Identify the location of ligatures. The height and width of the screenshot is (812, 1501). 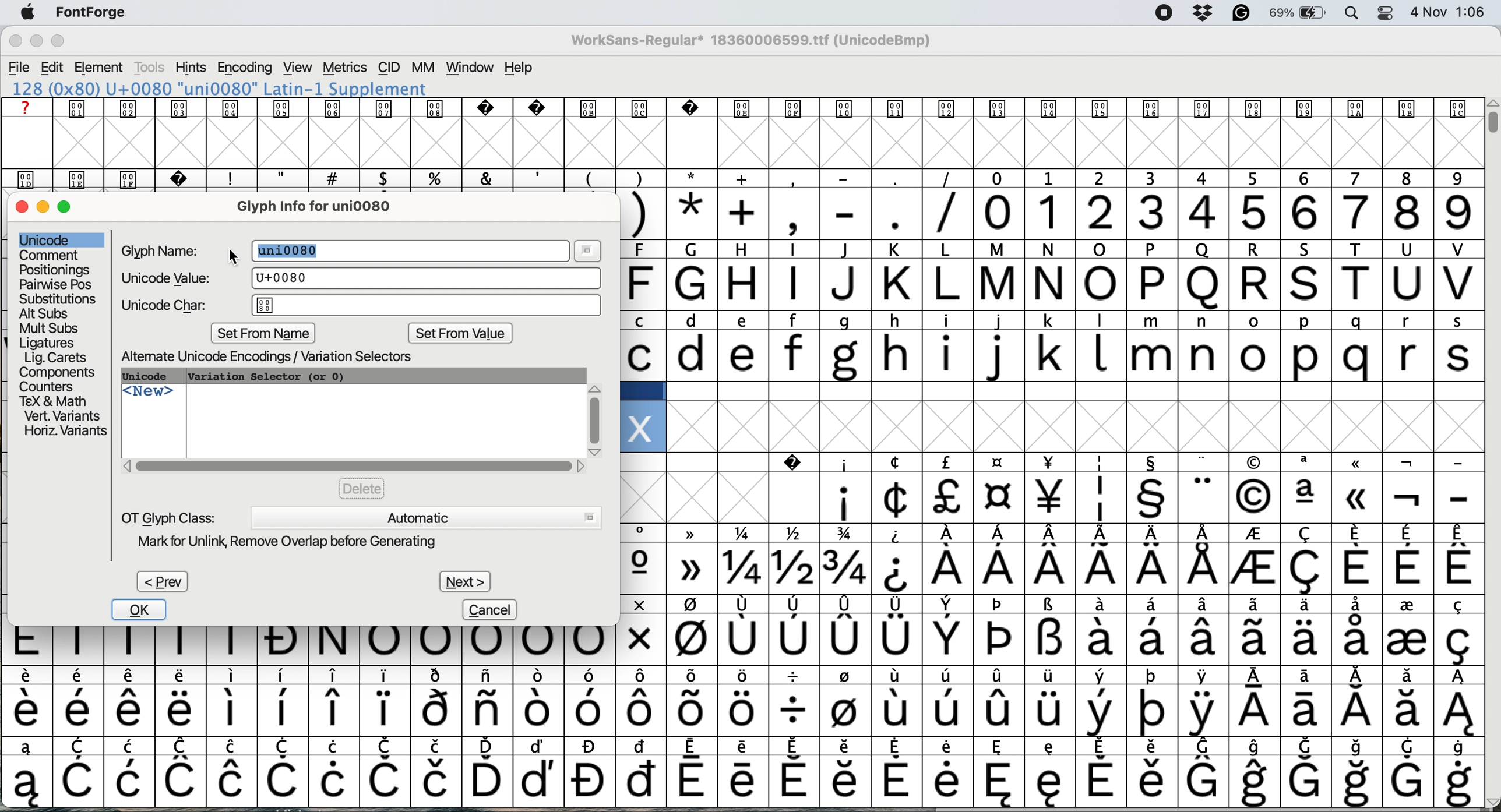
(50, 341).